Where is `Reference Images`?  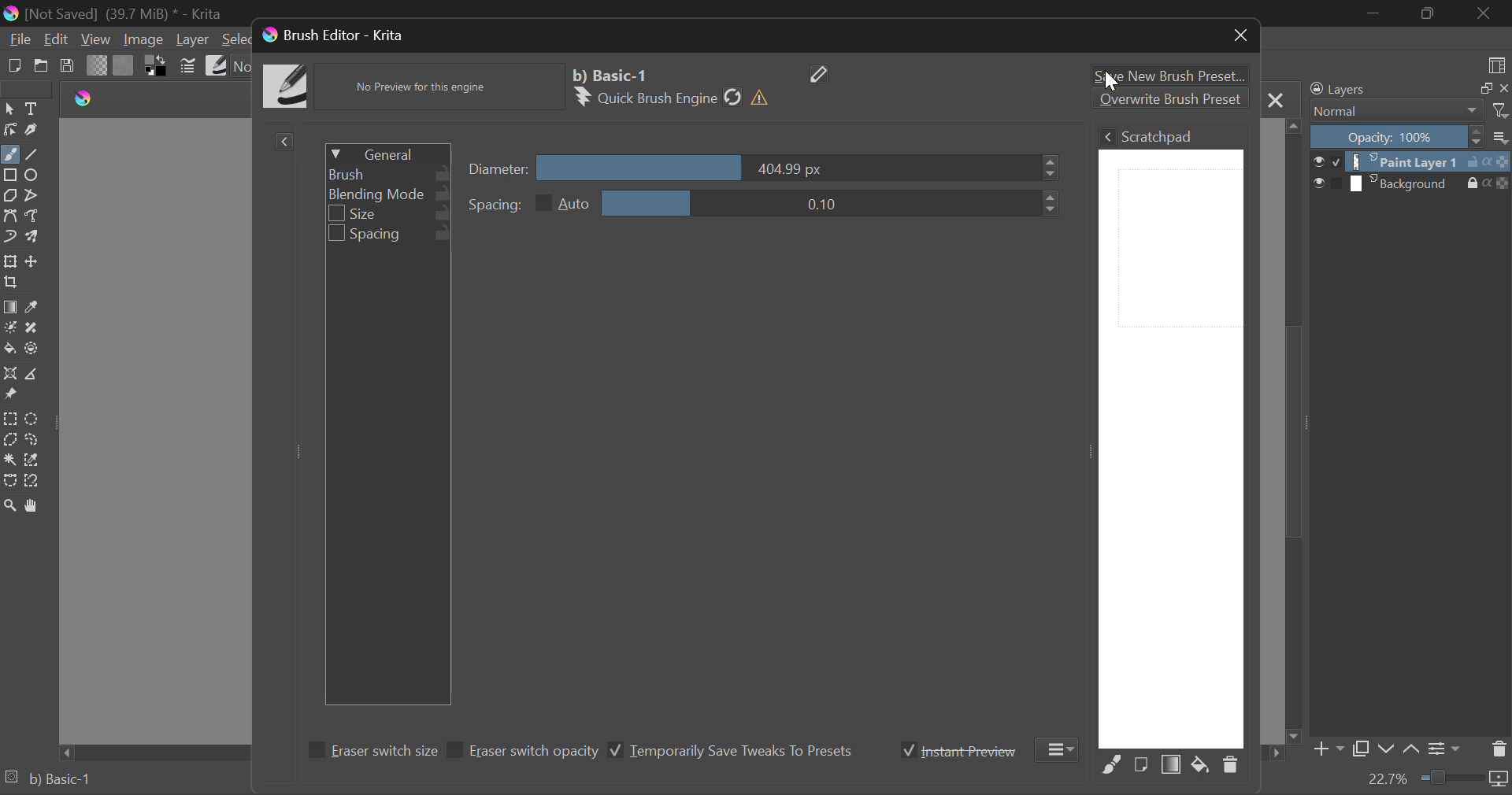 Reference Images is located at coordinates (10, 396).